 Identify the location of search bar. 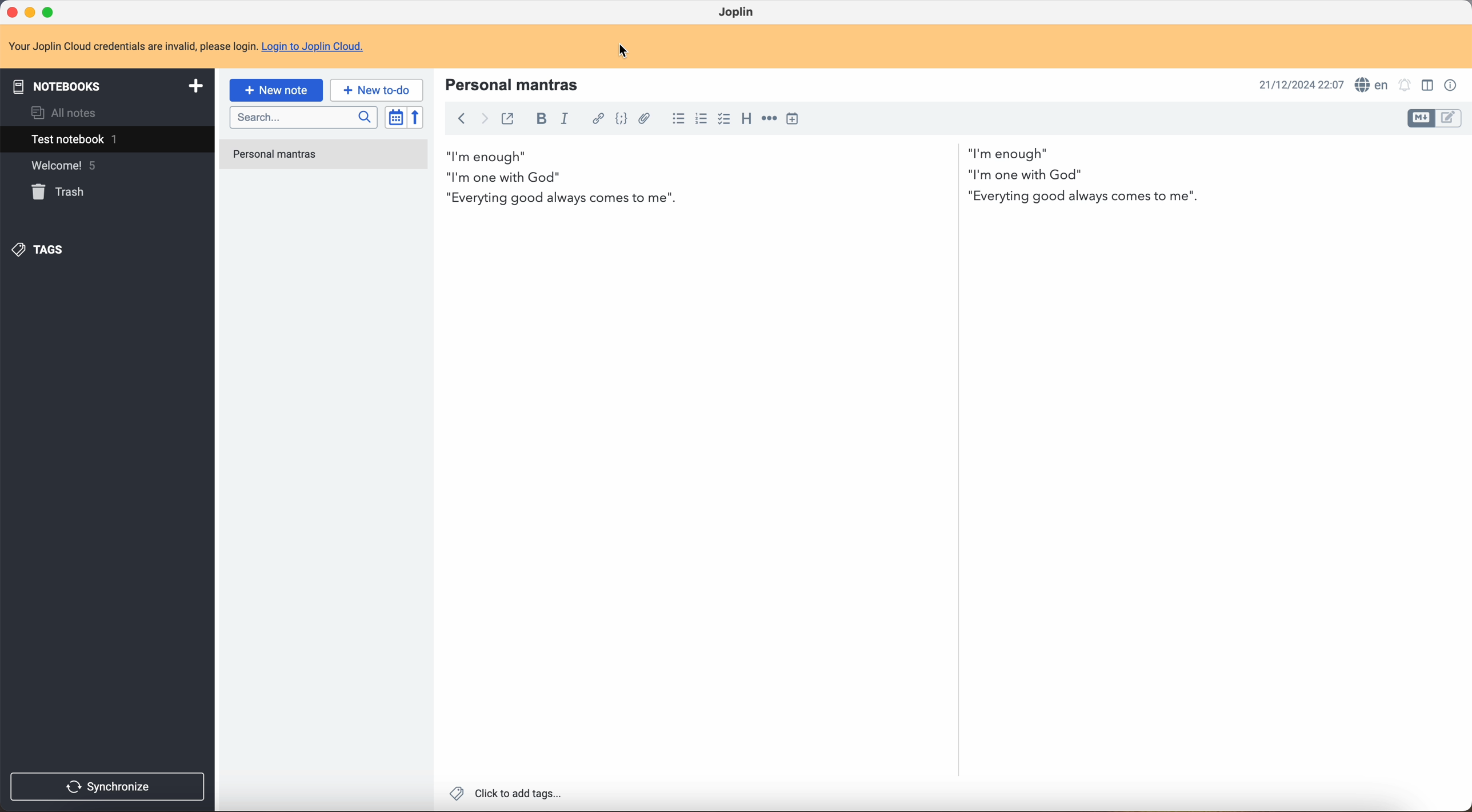
(303, 118).